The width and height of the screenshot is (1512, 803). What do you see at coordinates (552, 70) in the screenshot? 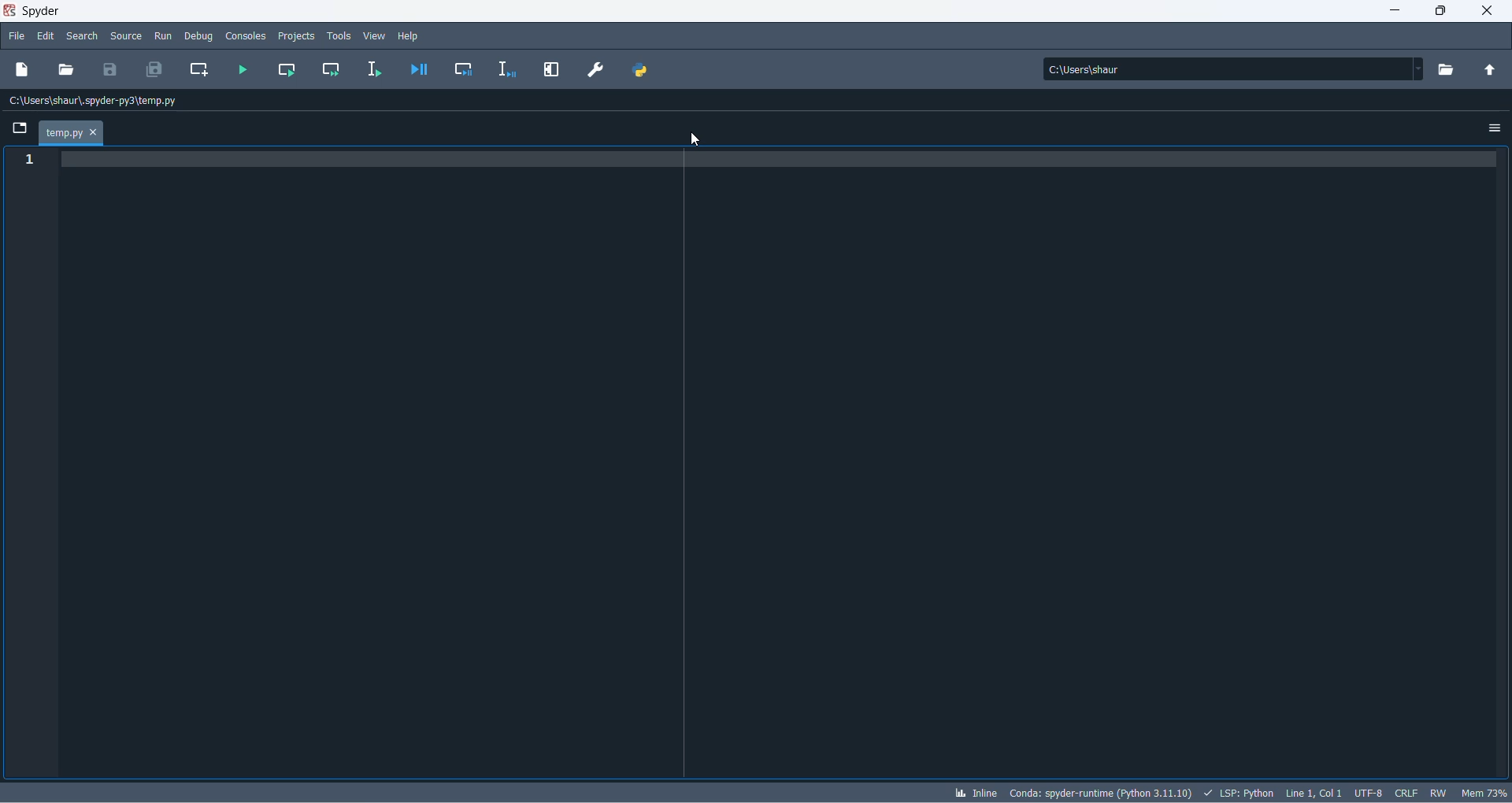
I see `maximize current pane` at bounding box center [552, 70].